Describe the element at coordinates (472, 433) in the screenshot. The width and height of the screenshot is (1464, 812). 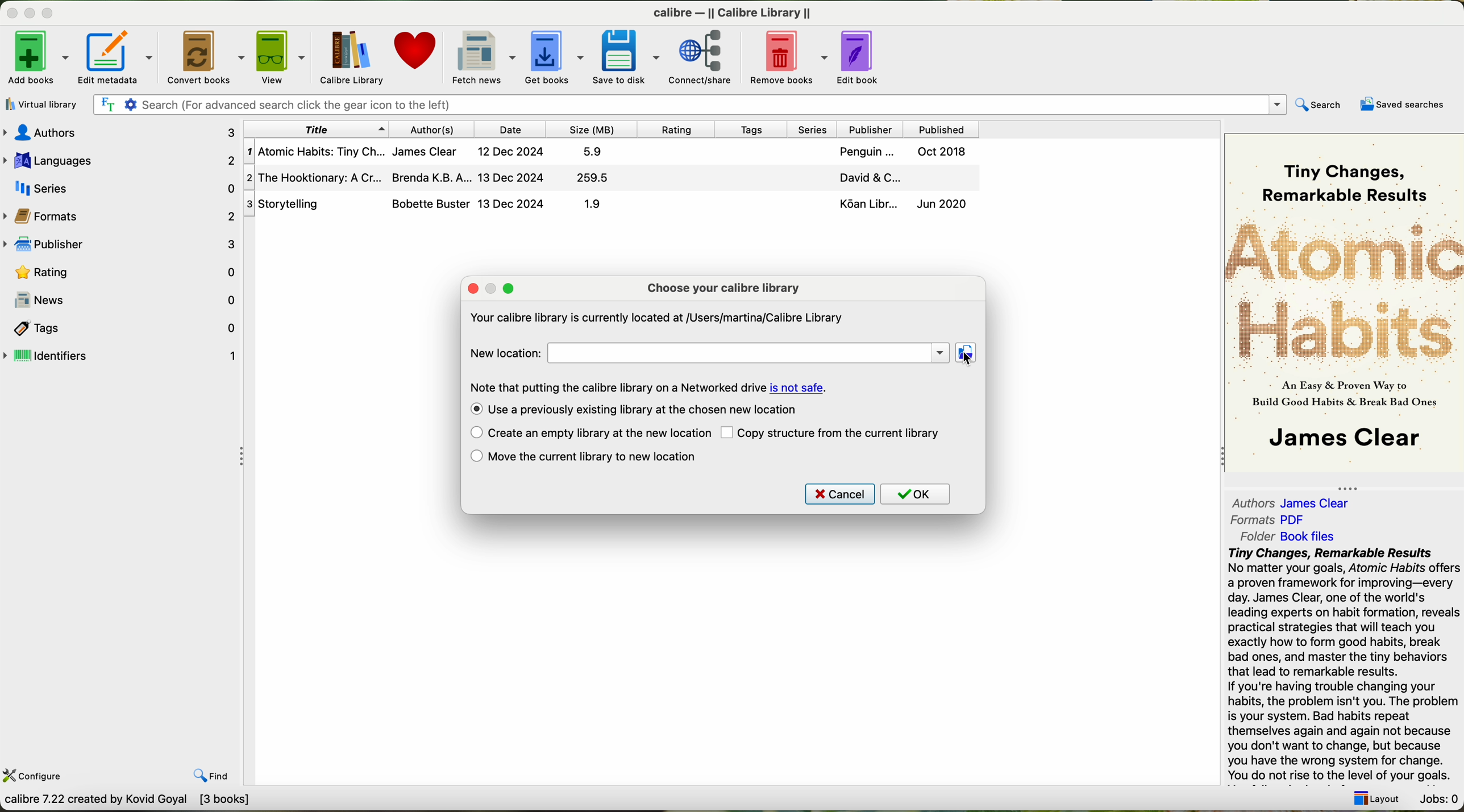
I see `check box` at that location.